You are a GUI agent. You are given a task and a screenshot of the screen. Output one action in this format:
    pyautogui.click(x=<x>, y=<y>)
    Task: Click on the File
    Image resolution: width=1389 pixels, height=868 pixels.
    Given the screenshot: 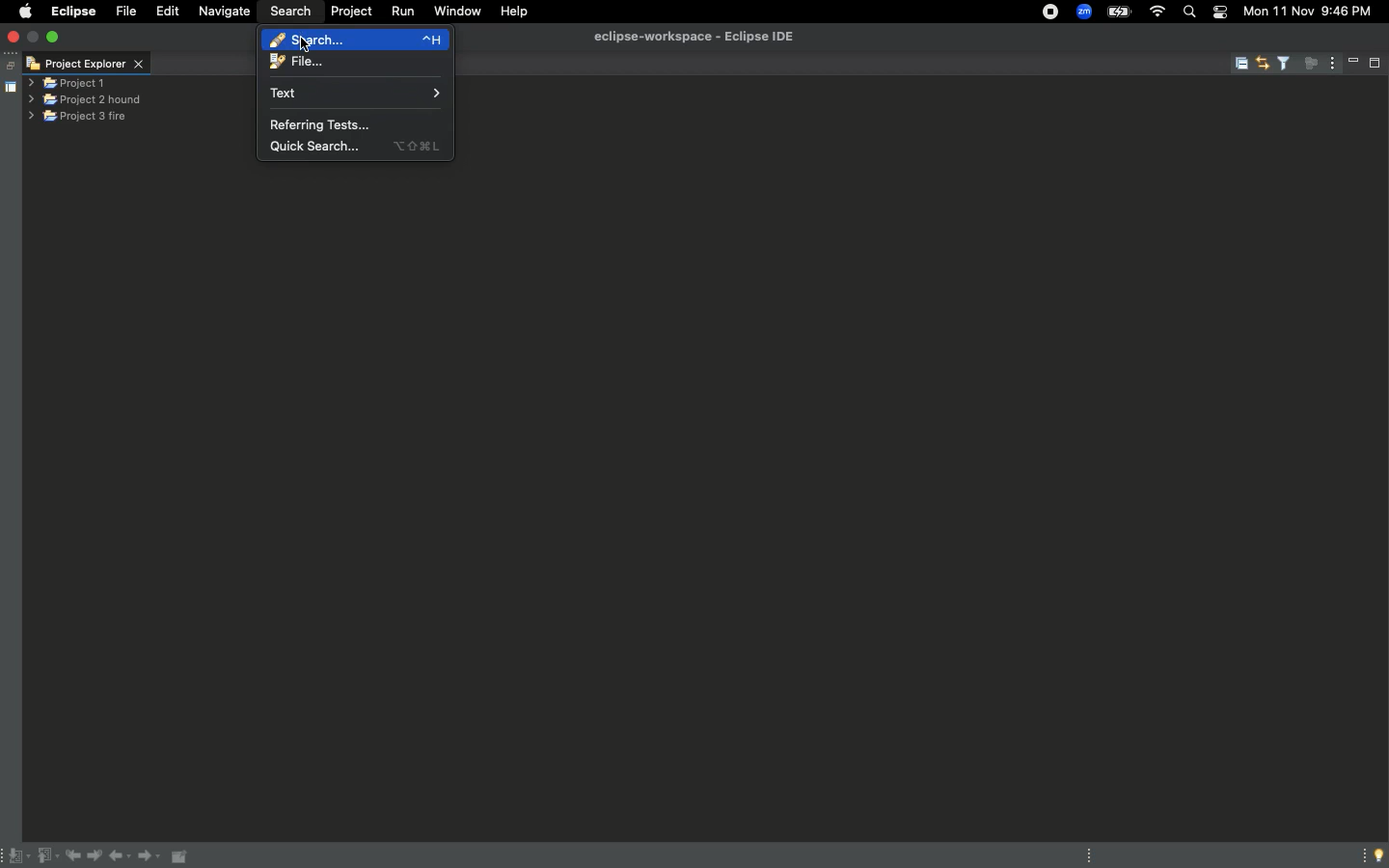 What is the action you would take?
    pyautogui.click(x=313, y=63)
    